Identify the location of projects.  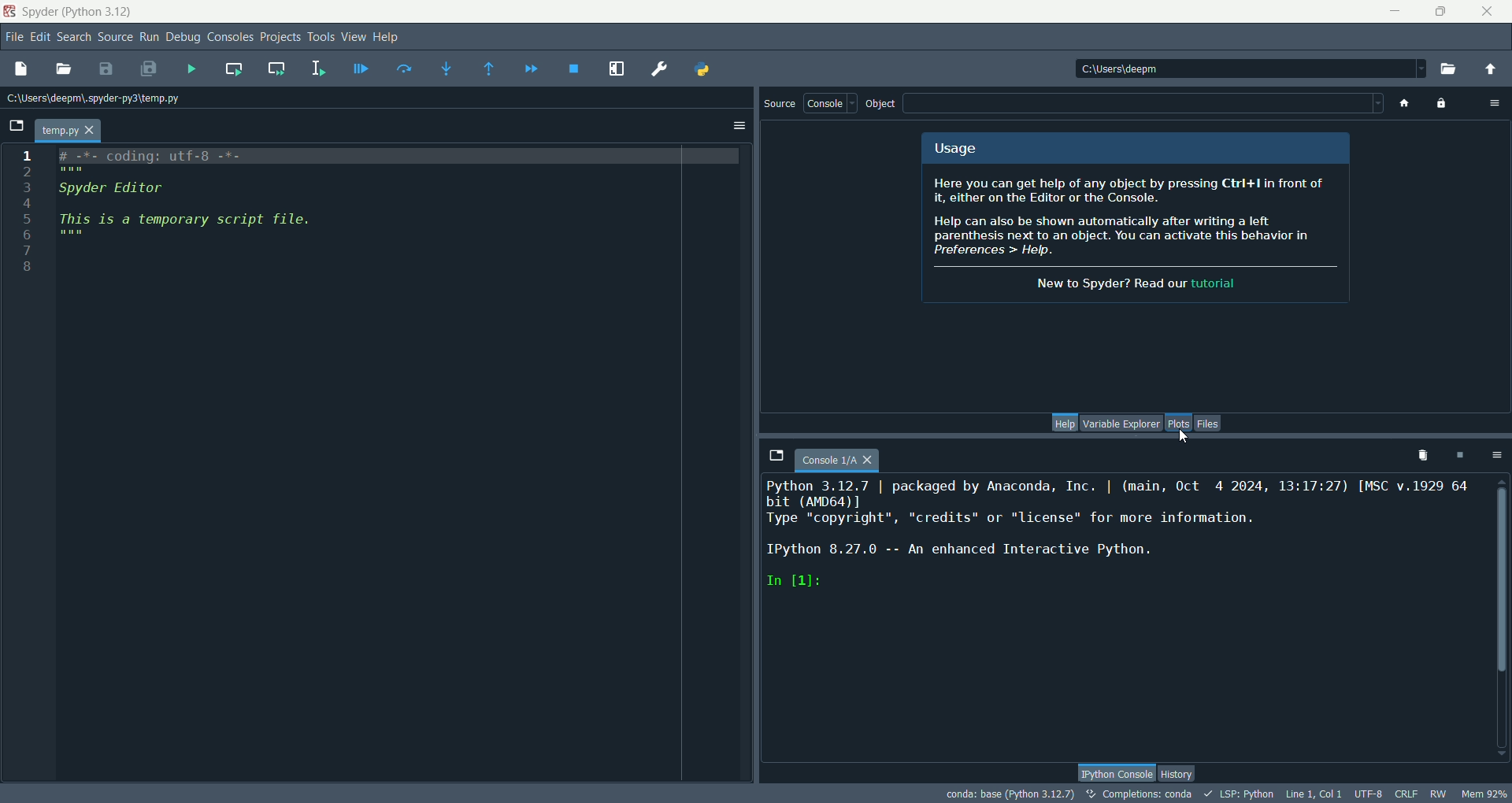
(283, 35).